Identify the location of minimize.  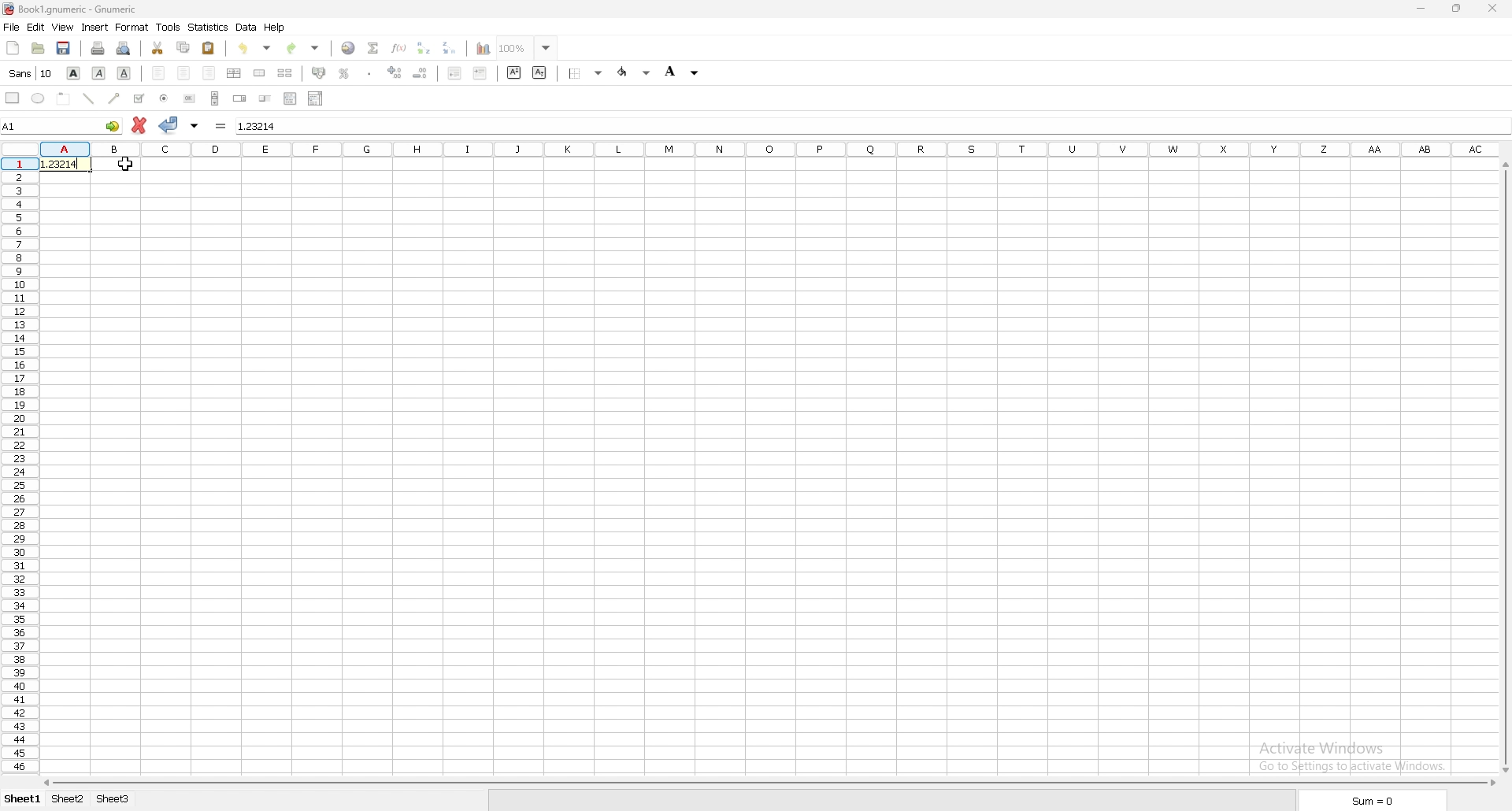
(1422, 7).